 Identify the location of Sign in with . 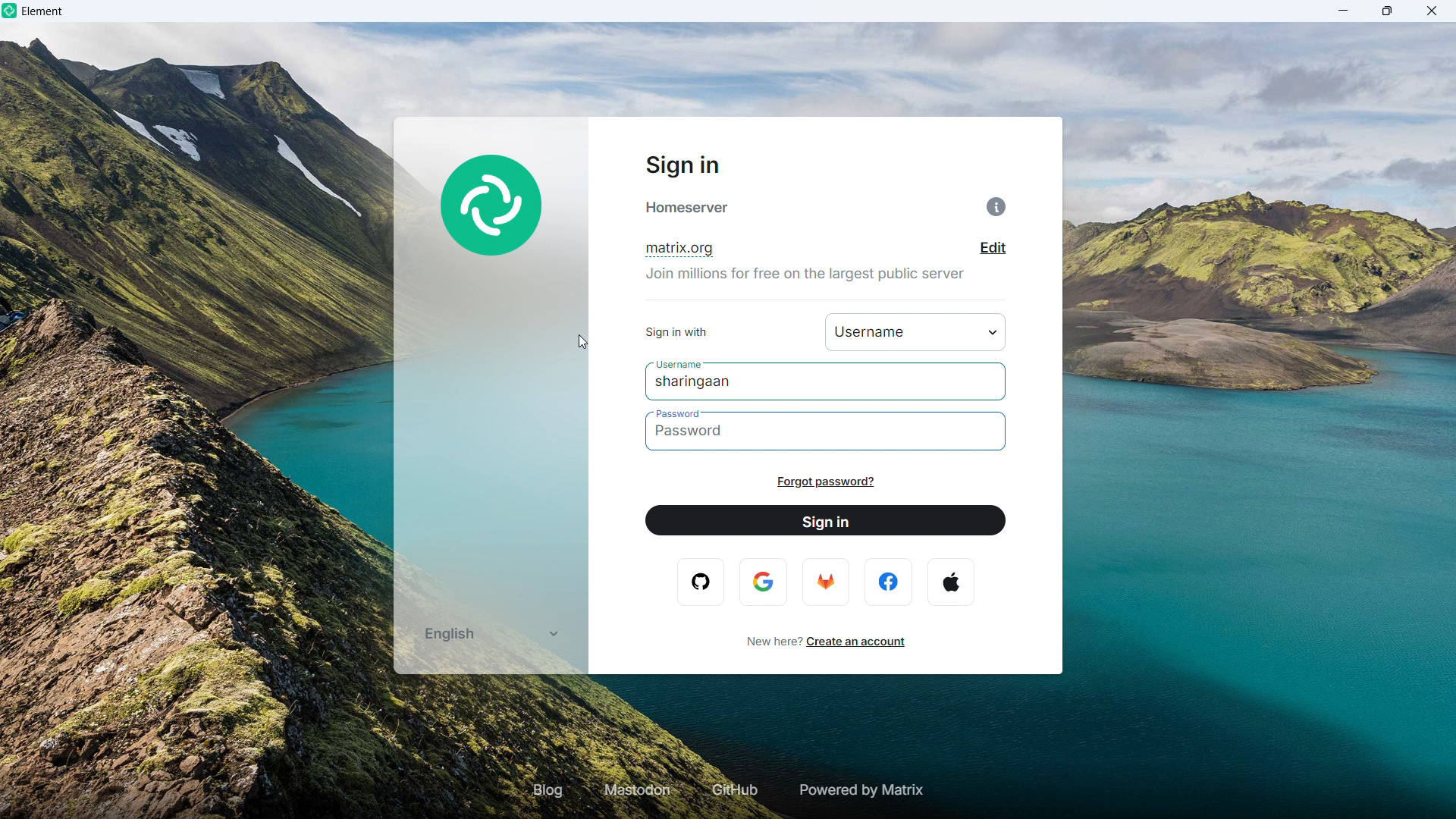
(916, 331).